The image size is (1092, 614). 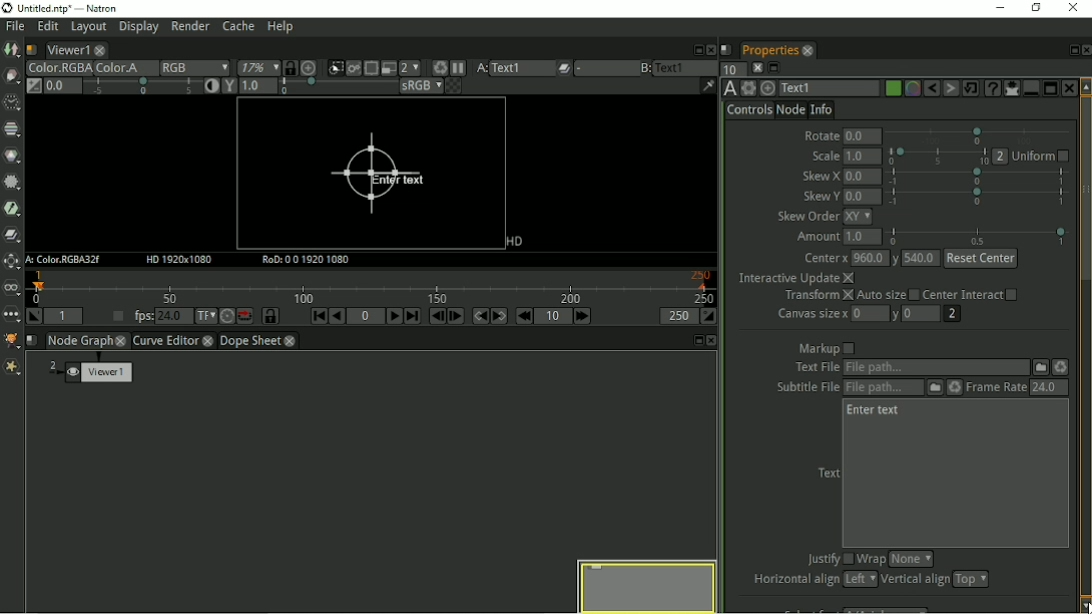 What do you see at coordinates (366, 316) in the screenshot?
I see `Current frame` at bounding box center [366, 316].